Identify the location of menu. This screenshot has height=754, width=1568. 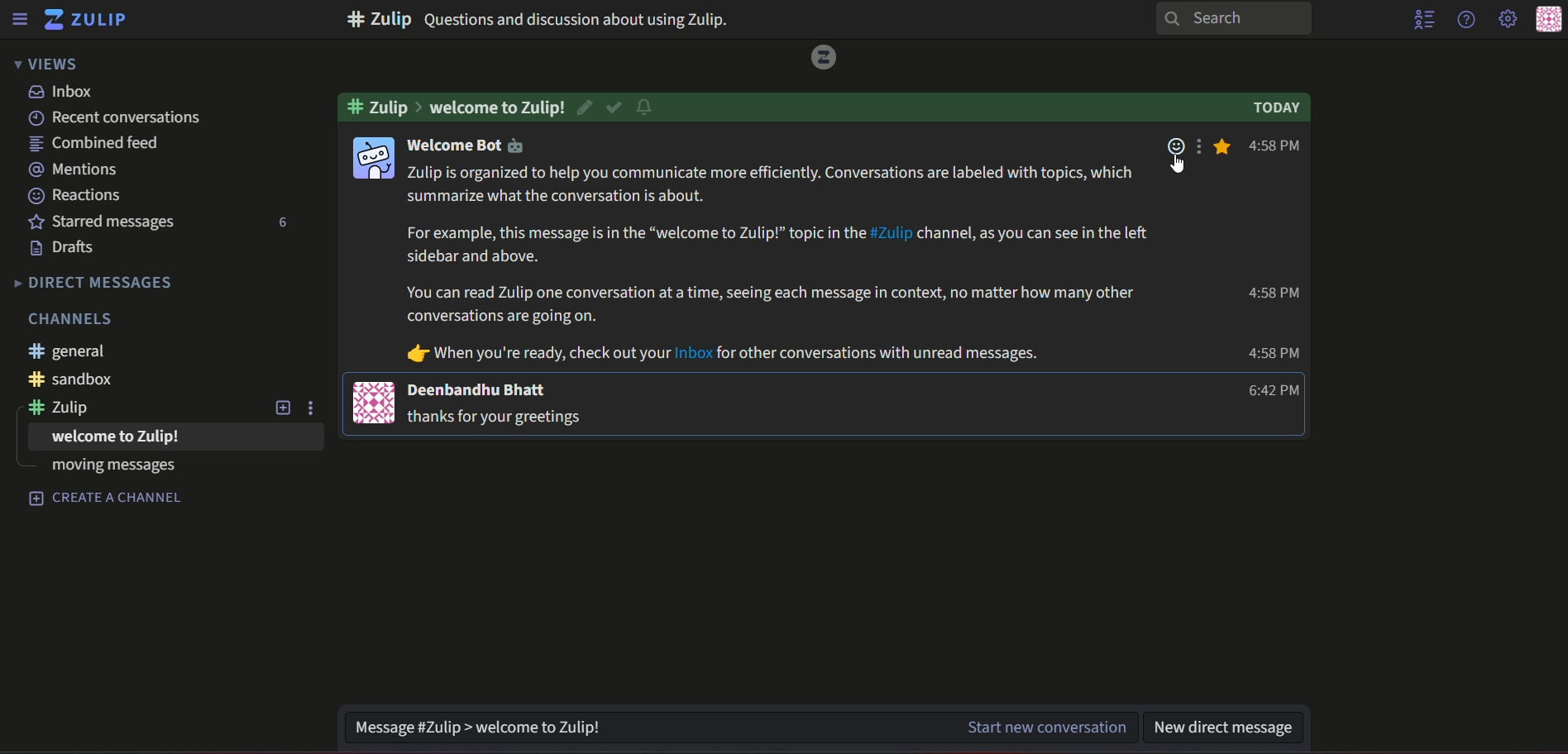
(23, 19).